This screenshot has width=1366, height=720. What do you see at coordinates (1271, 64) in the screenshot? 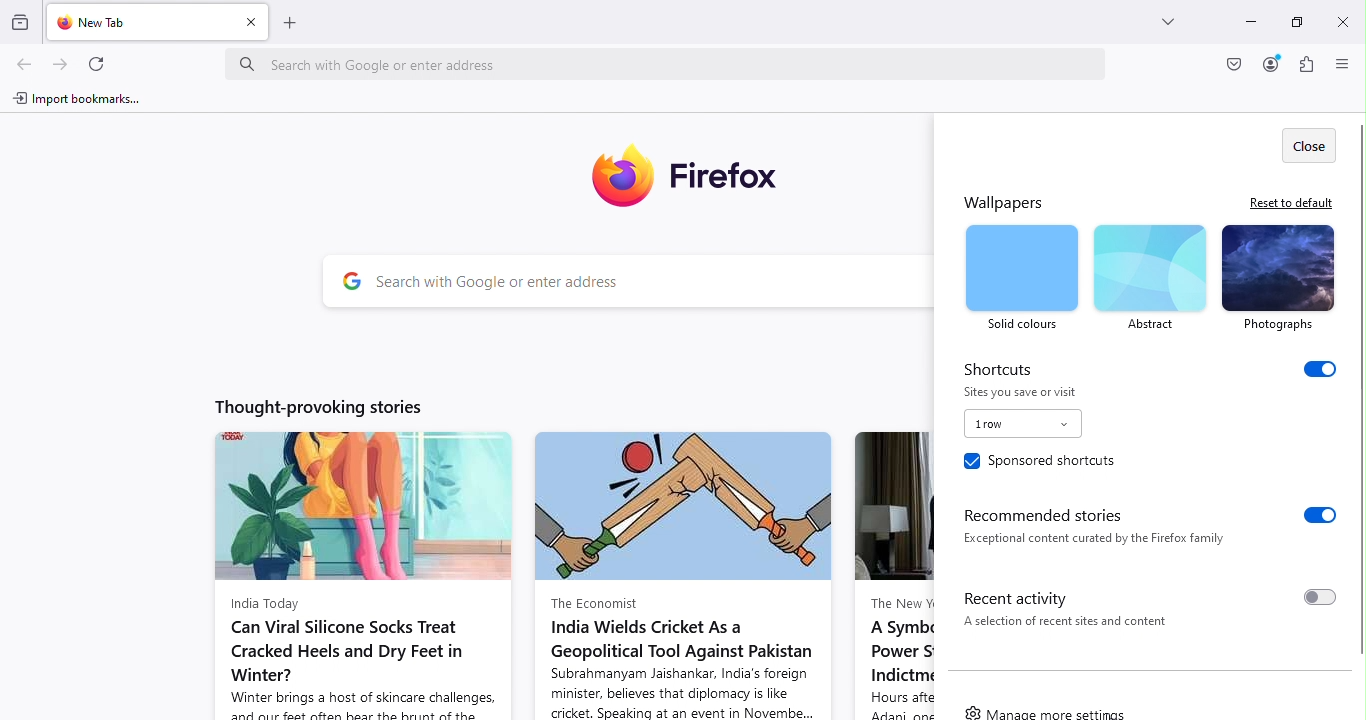
I see `Account` at bounding box center [1271, 64].